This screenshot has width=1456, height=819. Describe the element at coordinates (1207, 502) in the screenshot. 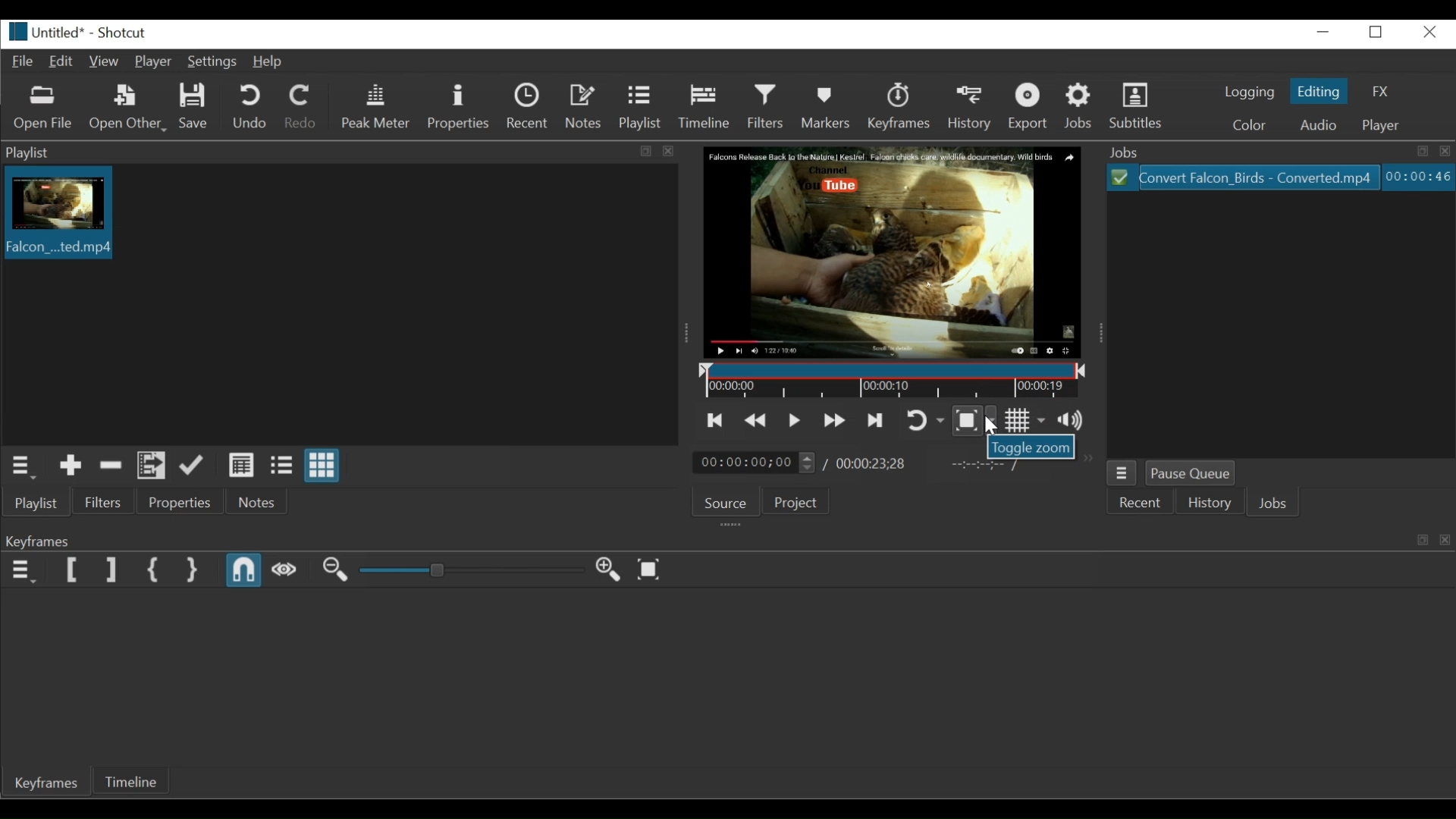

I see `History` at that location.